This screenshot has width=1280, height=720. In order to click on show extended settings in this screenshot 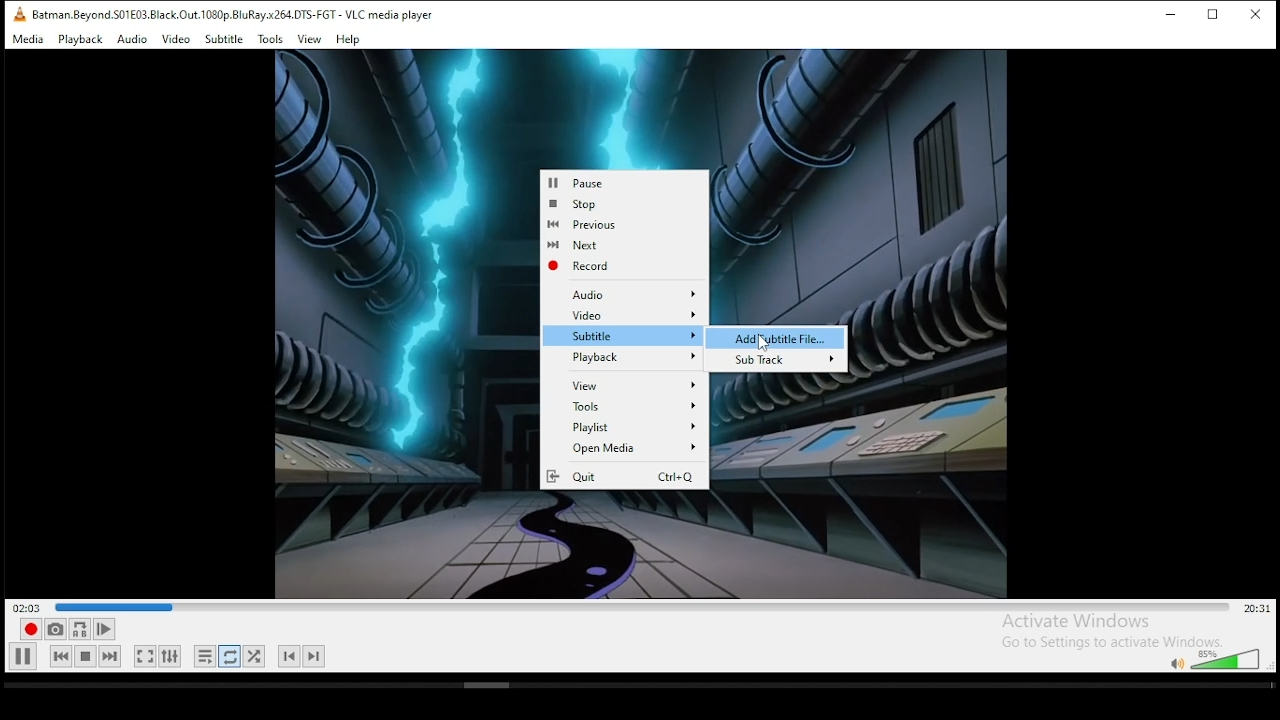, I will do `click(170, 656)`.